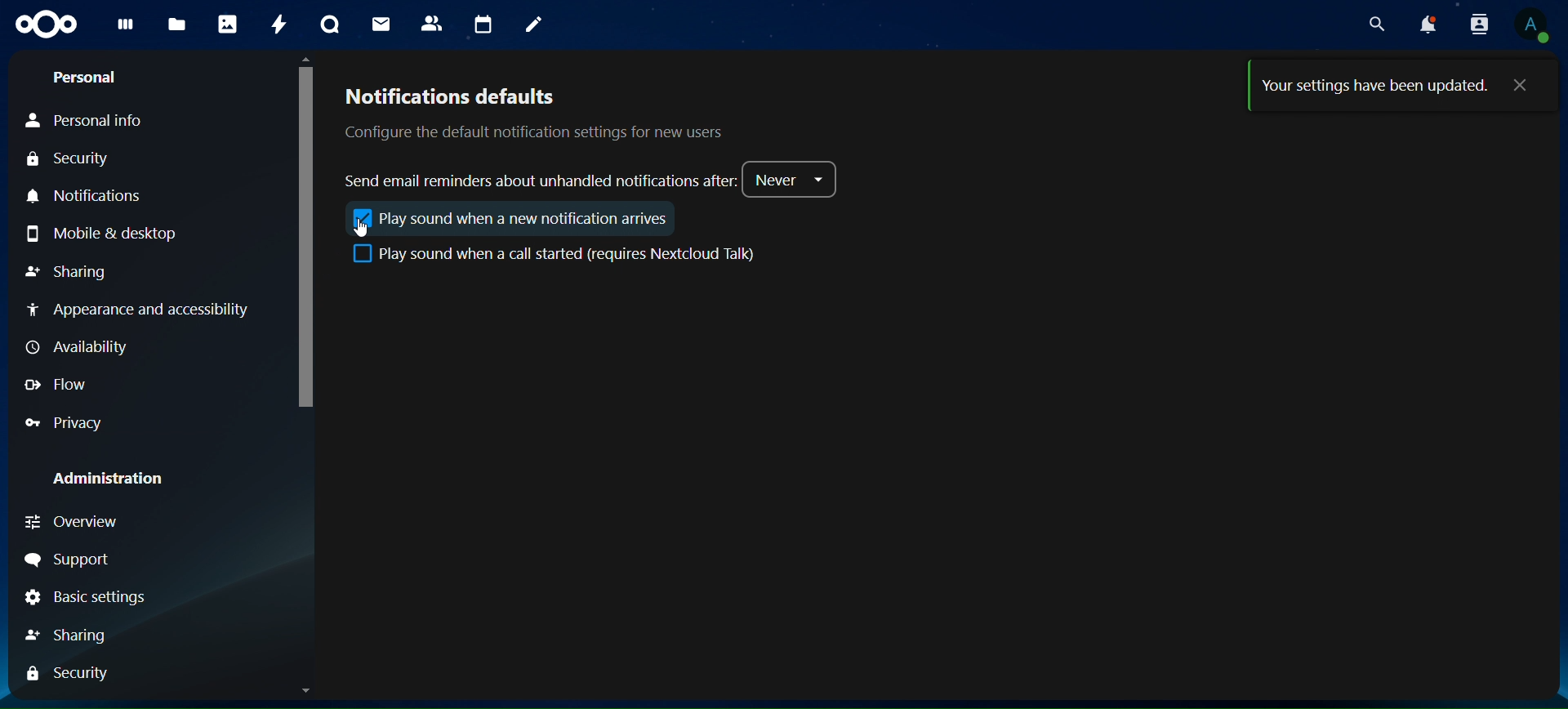 The image size is (1568, 709). What do you see at coordinates (1377, 87) in the screenshot?
I see `text` at bounding box center [1377, 87].